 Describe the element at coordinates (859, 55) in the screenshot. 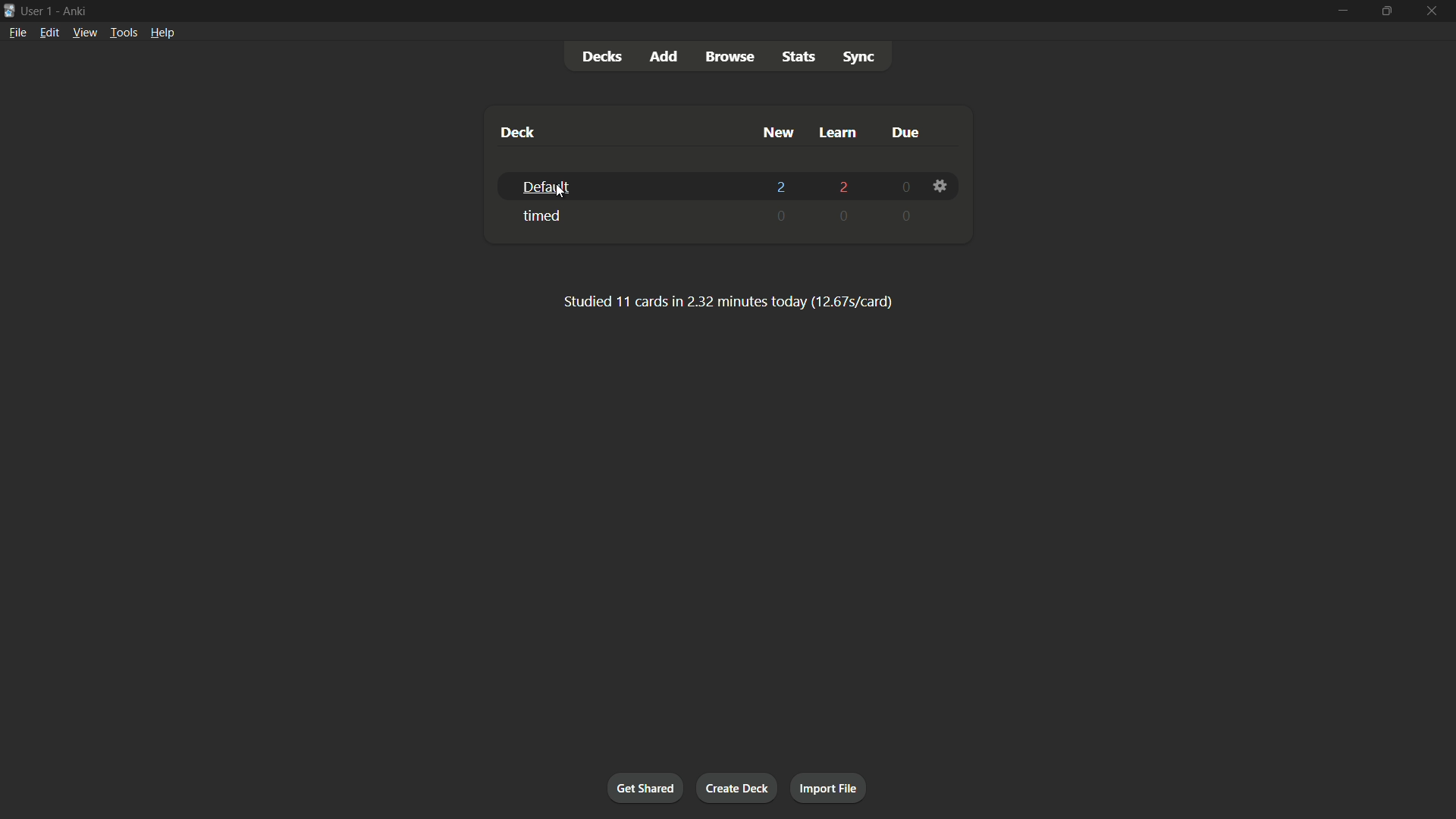

I see `sync` at that location.